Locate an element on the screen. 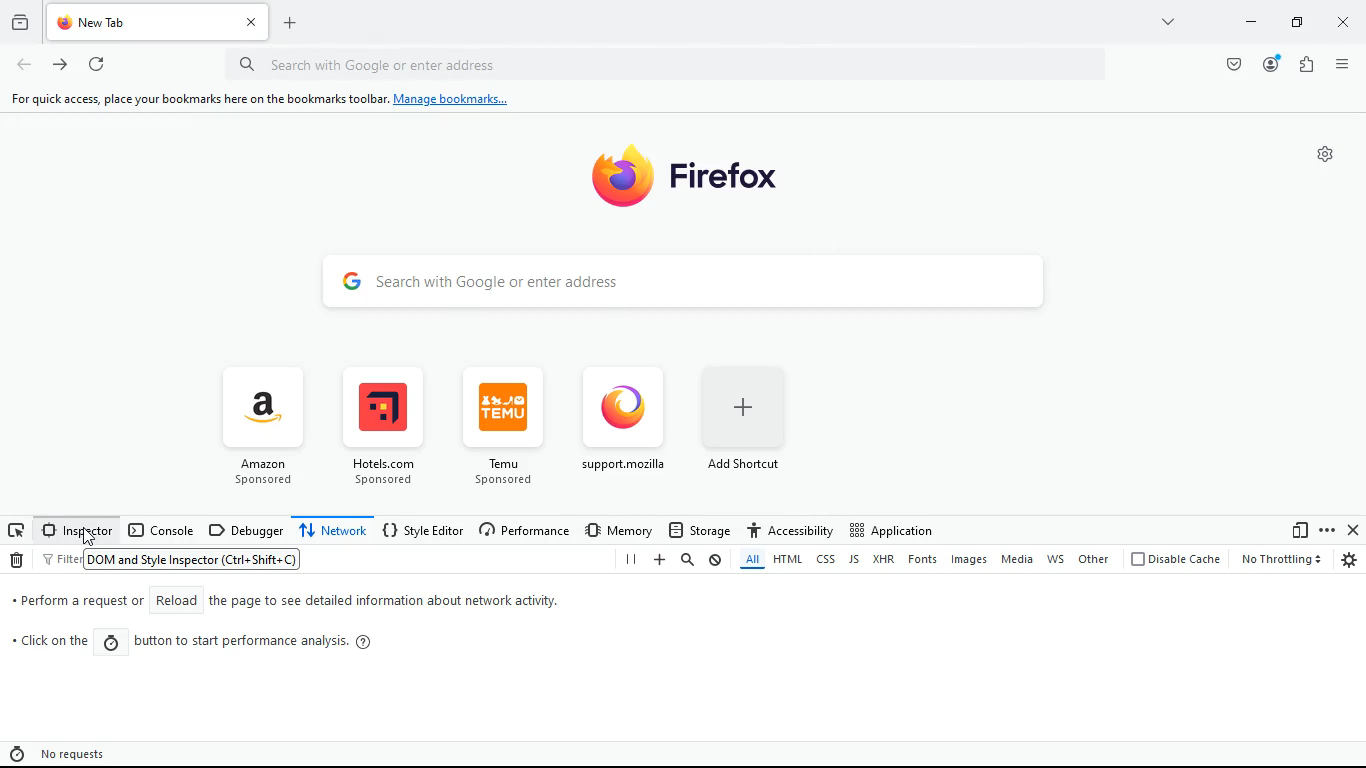 This screenshot has width=1366, height=768. button to start performance analysis. is located at coordinates (240, 642).